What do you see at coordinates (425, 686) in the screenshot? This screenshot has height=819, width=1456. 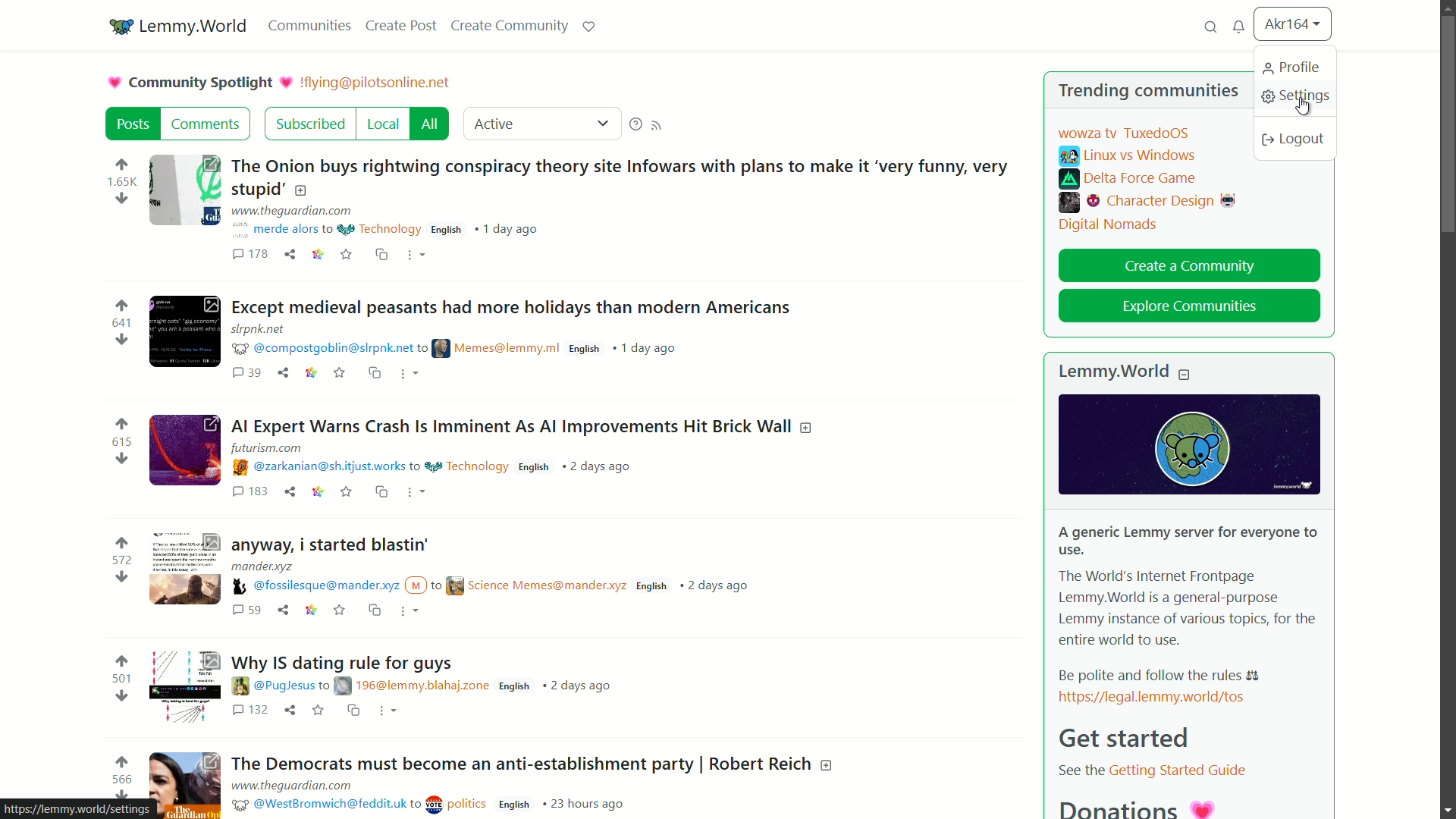 I see `post details` at bounding box center [425, 686].